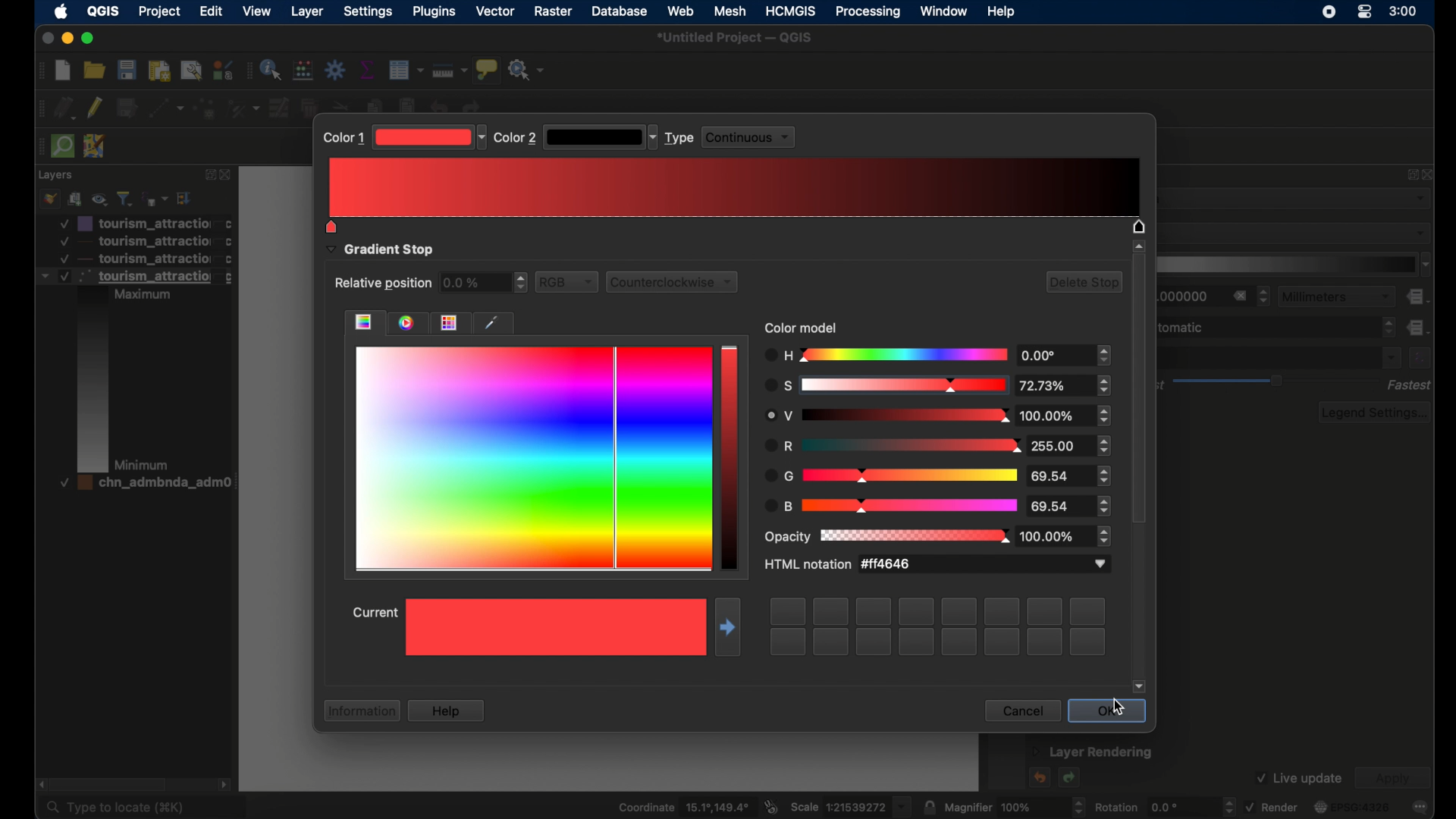 The image size is (1456, 819). What do you see at coordinates (336, 71) in the screenshot?
I see `toolbox` at bounding box center [336, 71].